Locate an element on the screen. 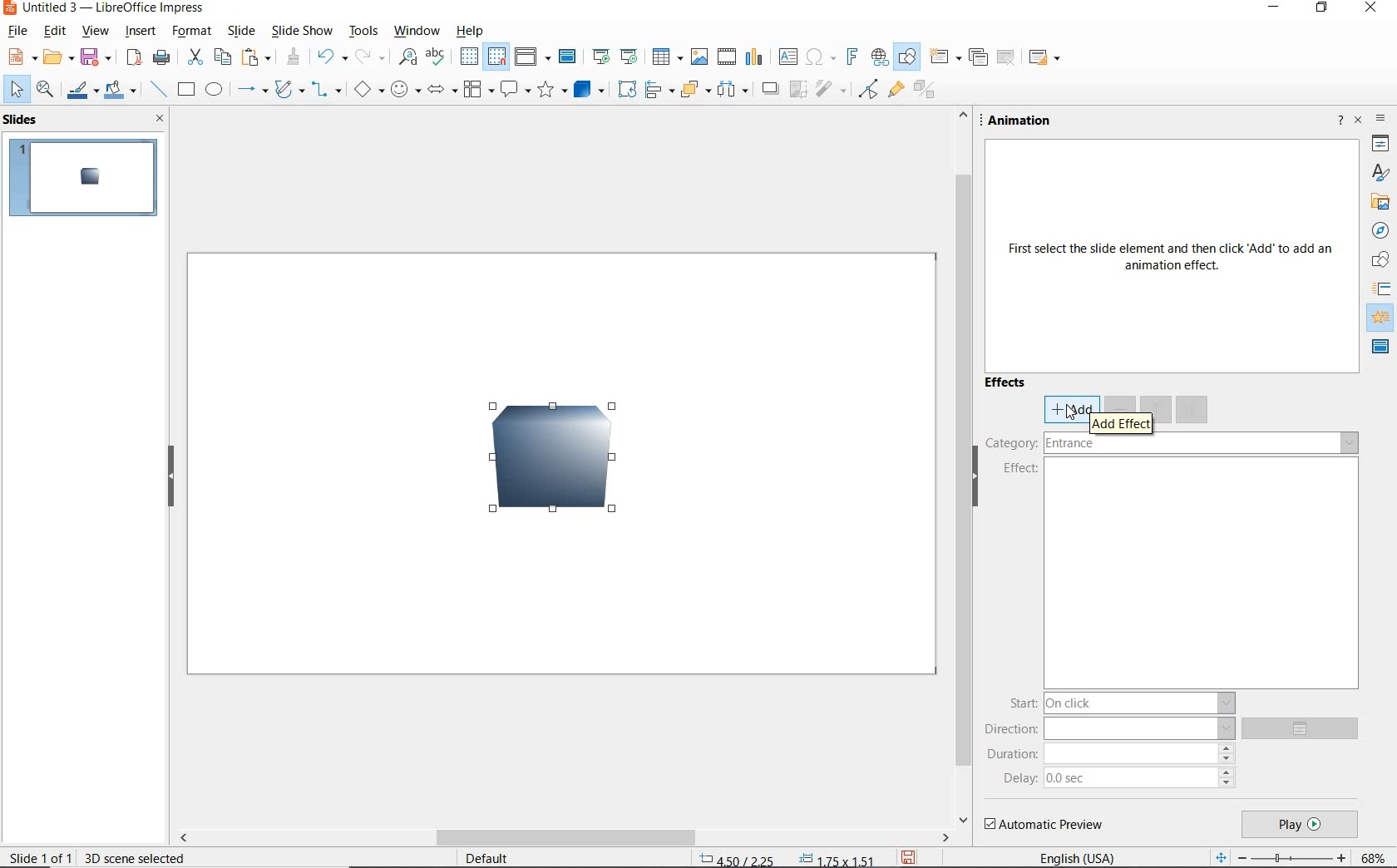 The width and height of the screenshot is (1397, 868). save as pdf is located at coordinates (132, 57).